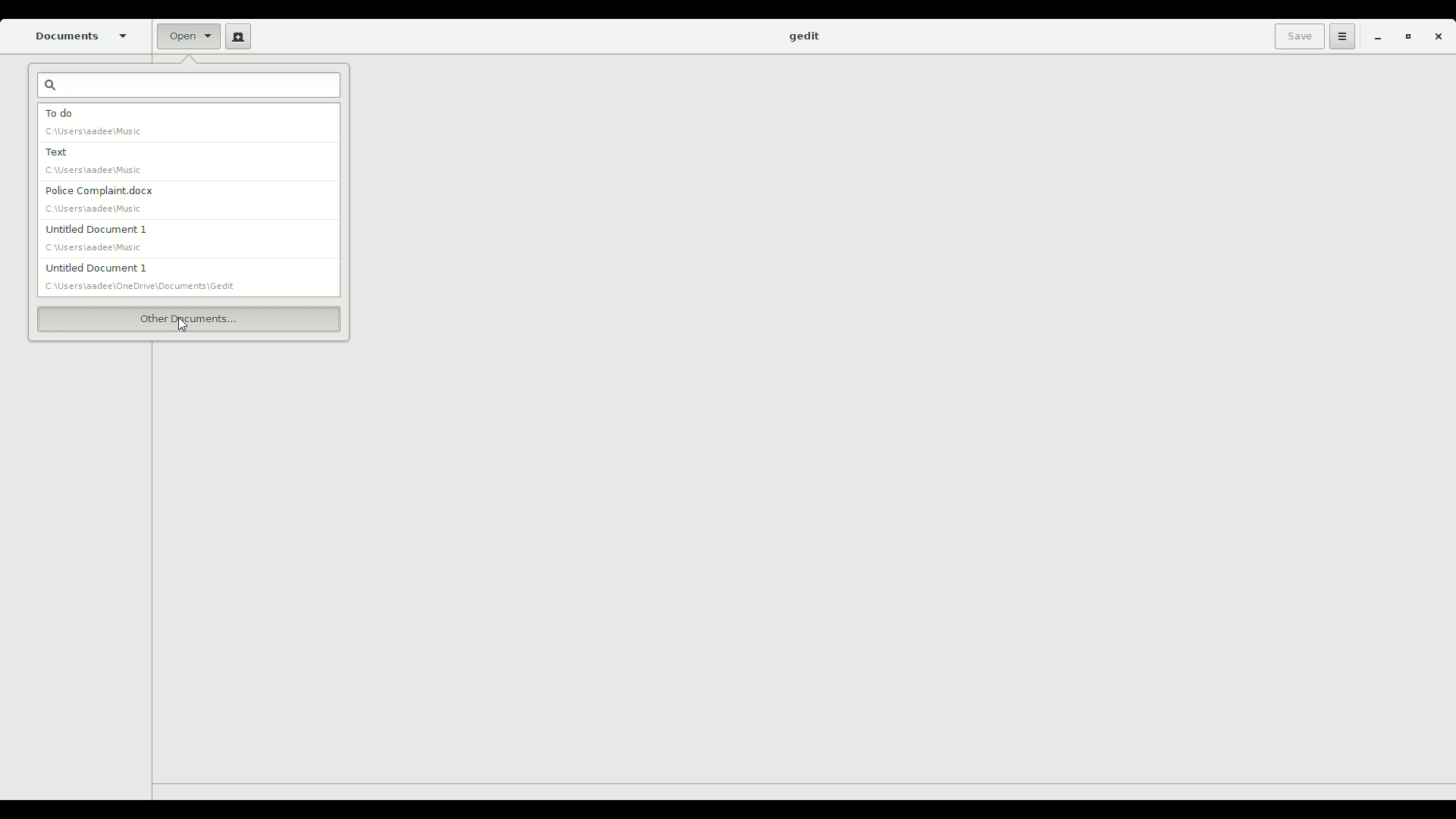  What do you see at coordinates (1296, 36) in the screenshot?
I see `Save` at bounding box center [1296, 36].